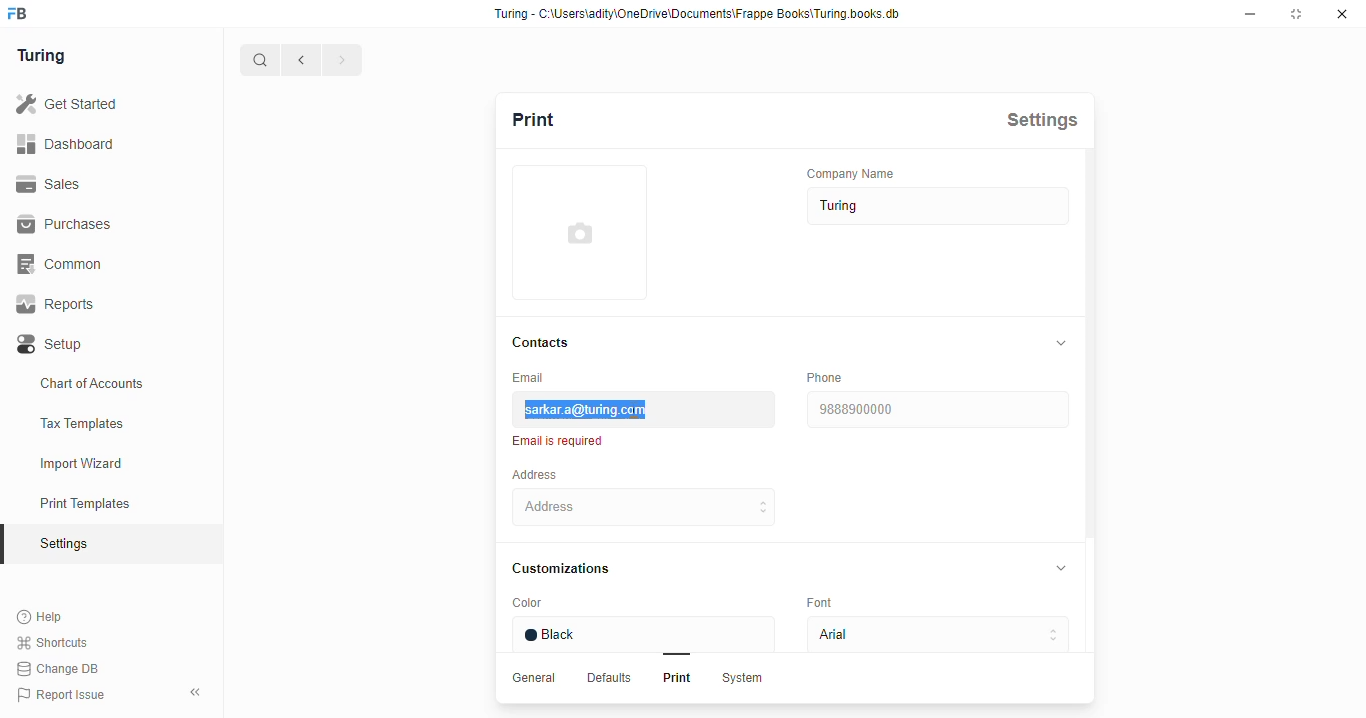 This screenshot has height=718, width=1366. Describe the element at coordinates (64, 224) in the screenshot. I see `Purchases` at that location.